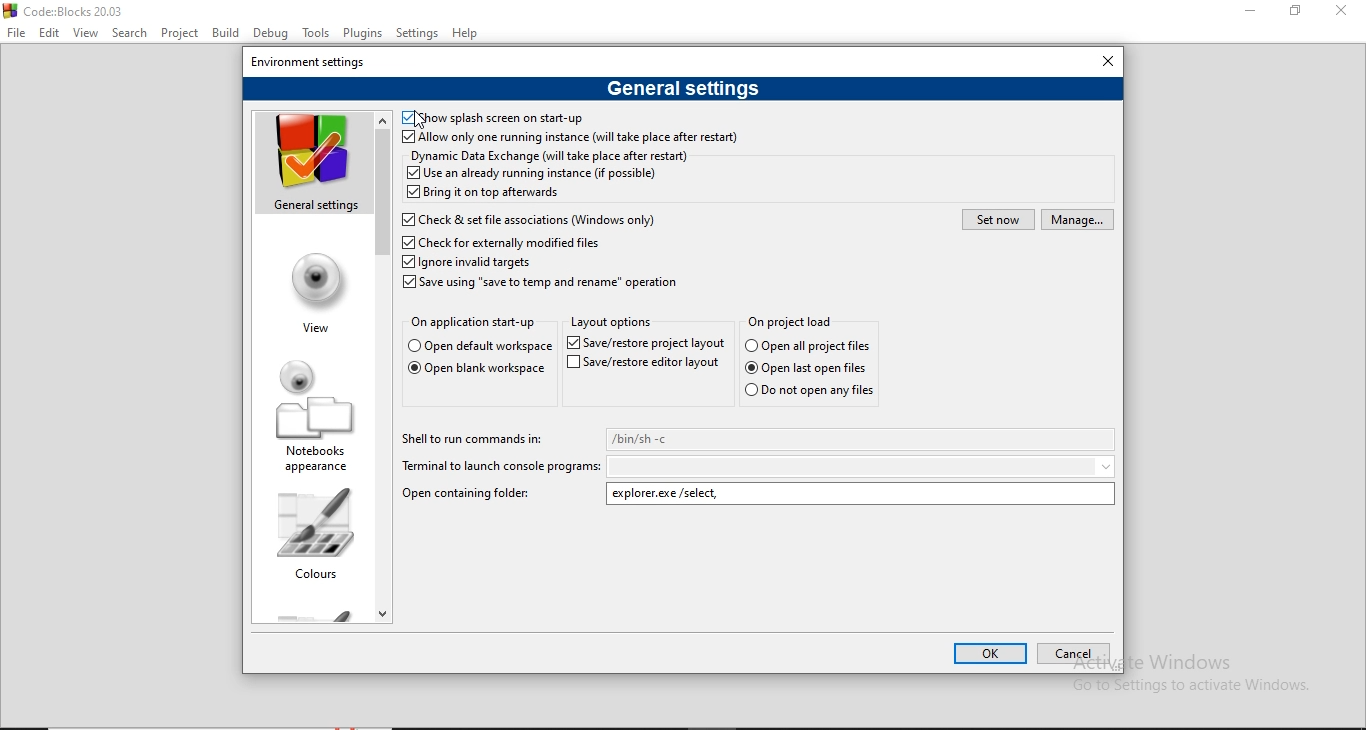  I want to click on ok, so click(987, 652).